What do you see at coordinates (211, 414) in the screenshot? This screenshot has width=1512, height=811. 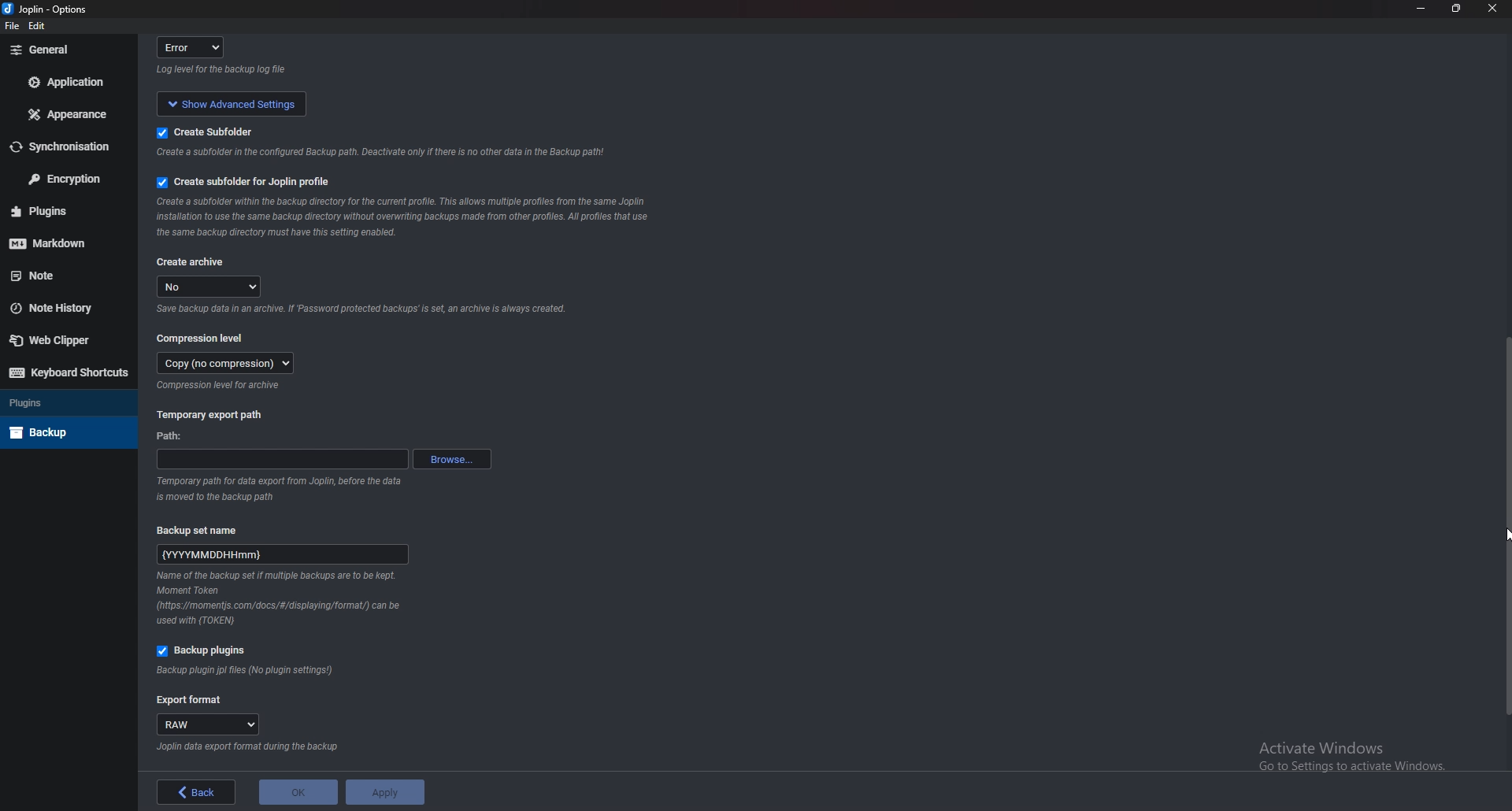 I see `Temporary export path` at bounding box center [211, 414].